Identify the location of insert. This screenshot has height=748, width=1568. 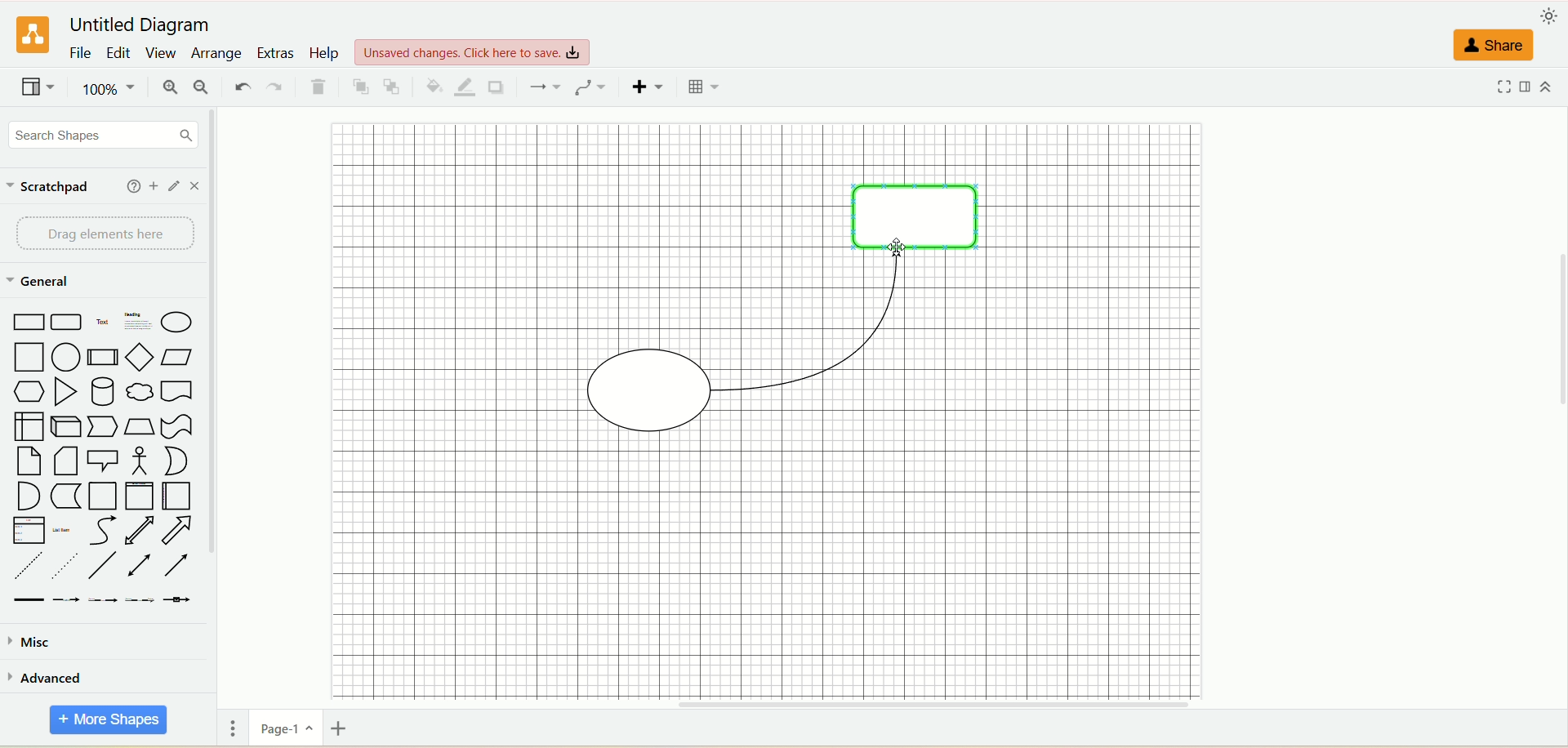
(645, 87).